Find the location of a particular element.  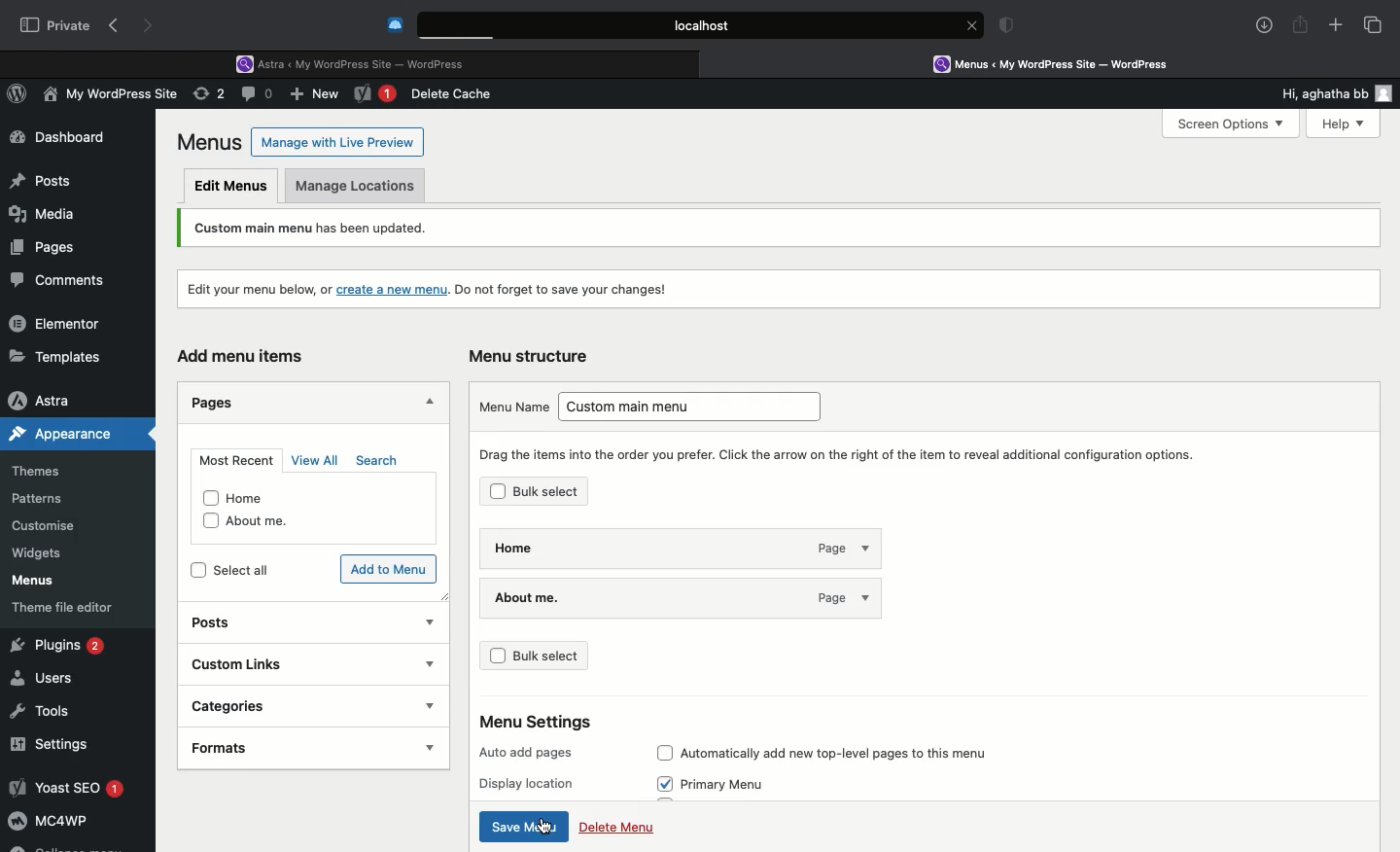

Menu name is located at coordinates (512, 406).